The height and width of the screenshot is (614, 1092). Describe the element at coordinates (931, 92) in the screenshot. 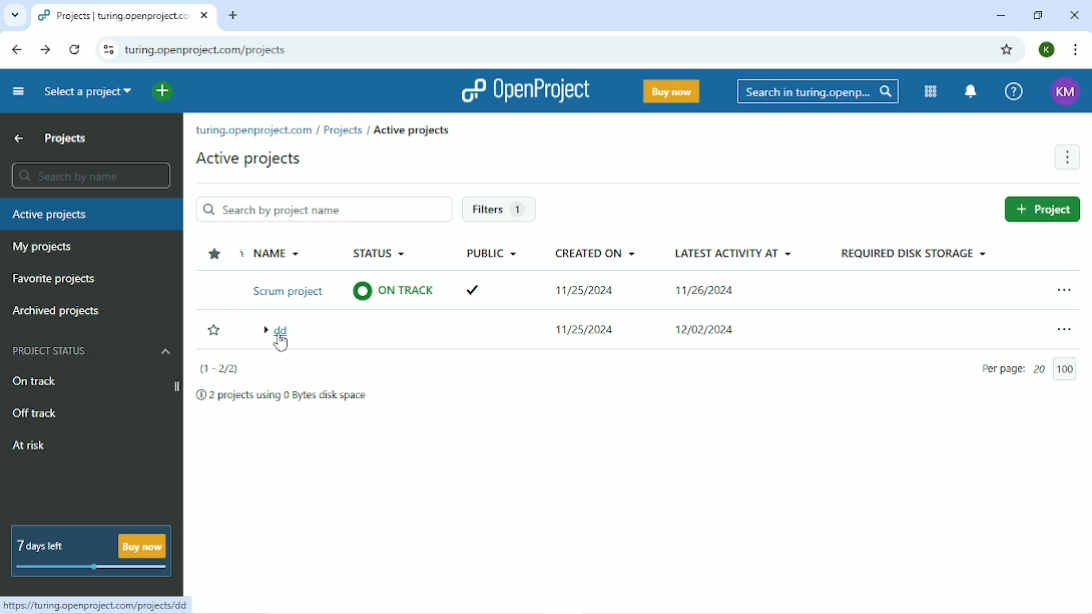

I see `Modules` at that location.